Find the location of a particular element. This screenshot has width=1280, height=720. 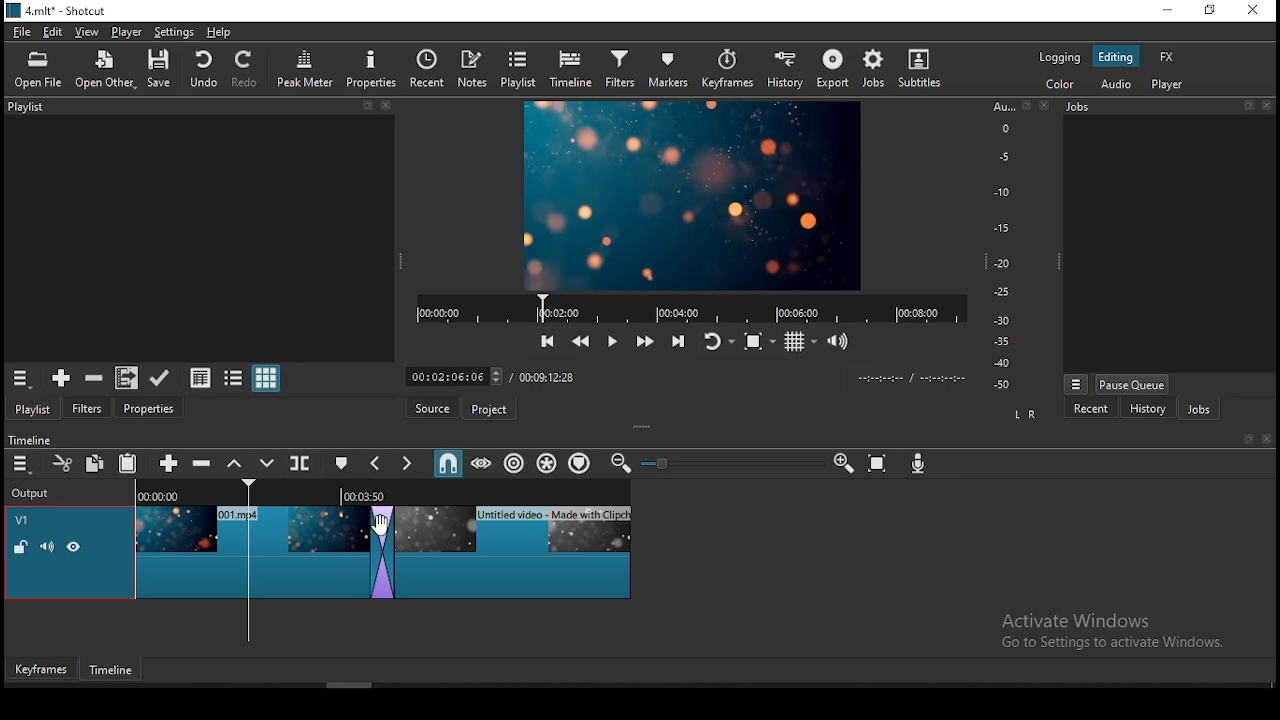

jobs menu is located at coordinates (1076, 385).